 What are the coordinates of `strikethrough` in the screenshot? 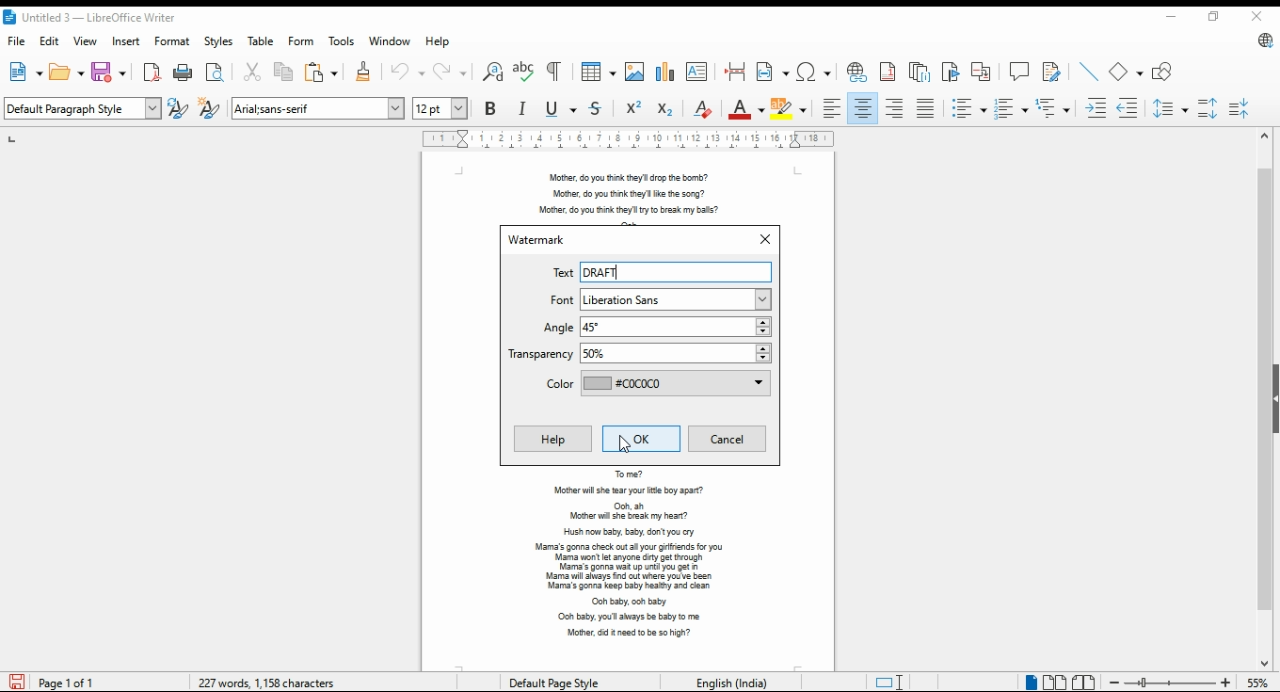 It's located at (596, 107).